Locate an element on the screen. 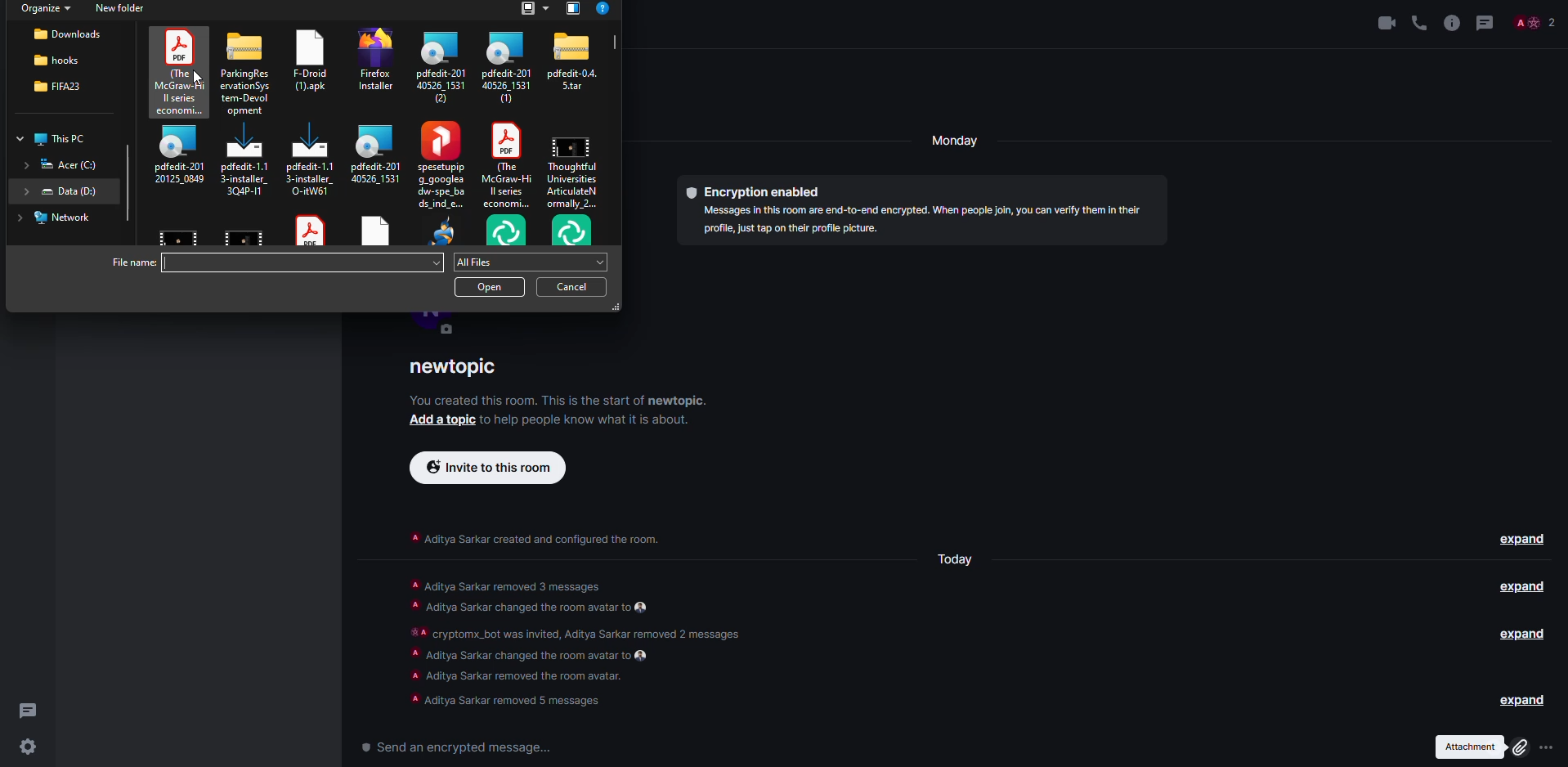  file is located at coordinates (513, 163).